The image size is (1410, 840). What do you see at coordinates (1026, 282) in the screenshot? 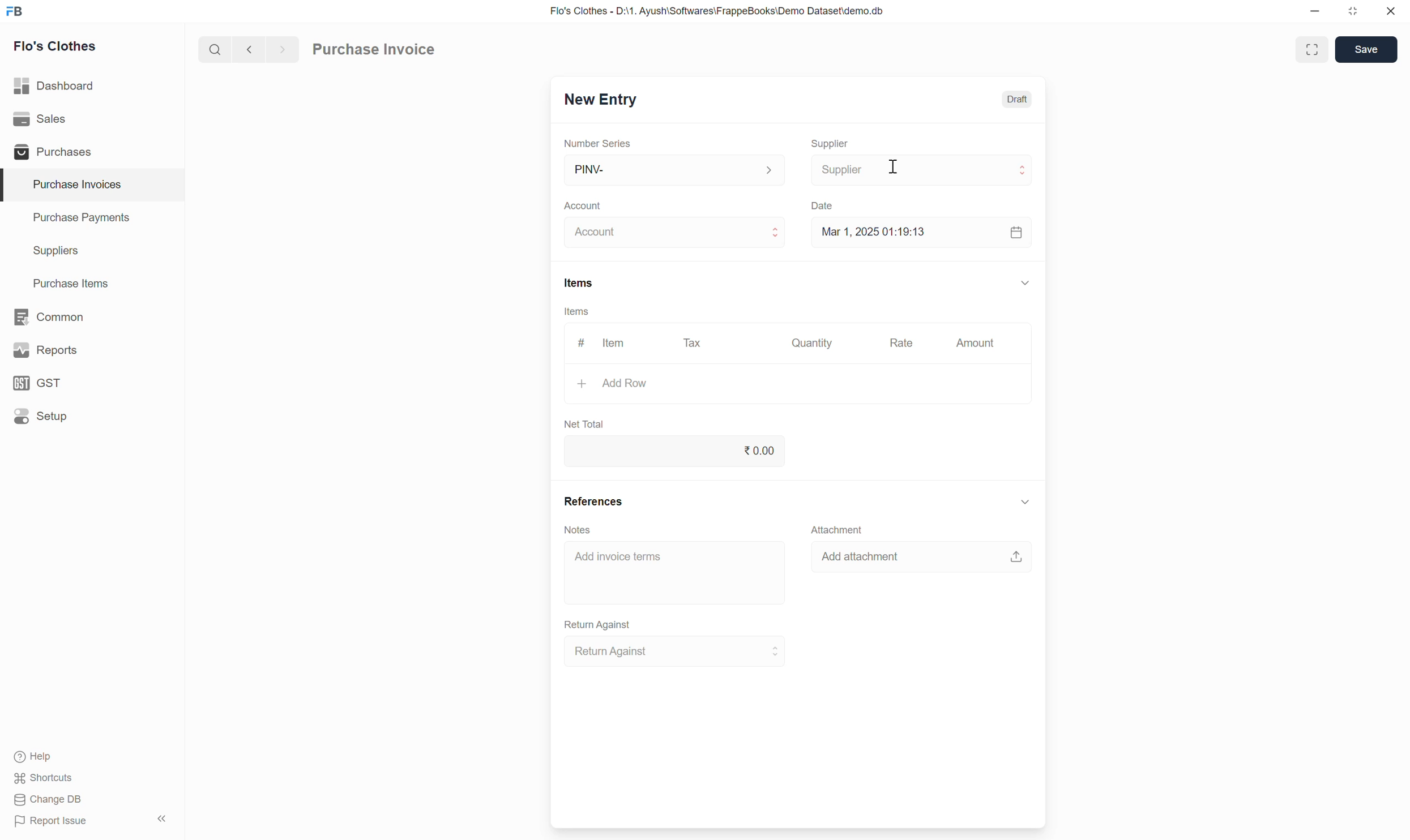
I see `expand` at bounding box center [1026, 282].